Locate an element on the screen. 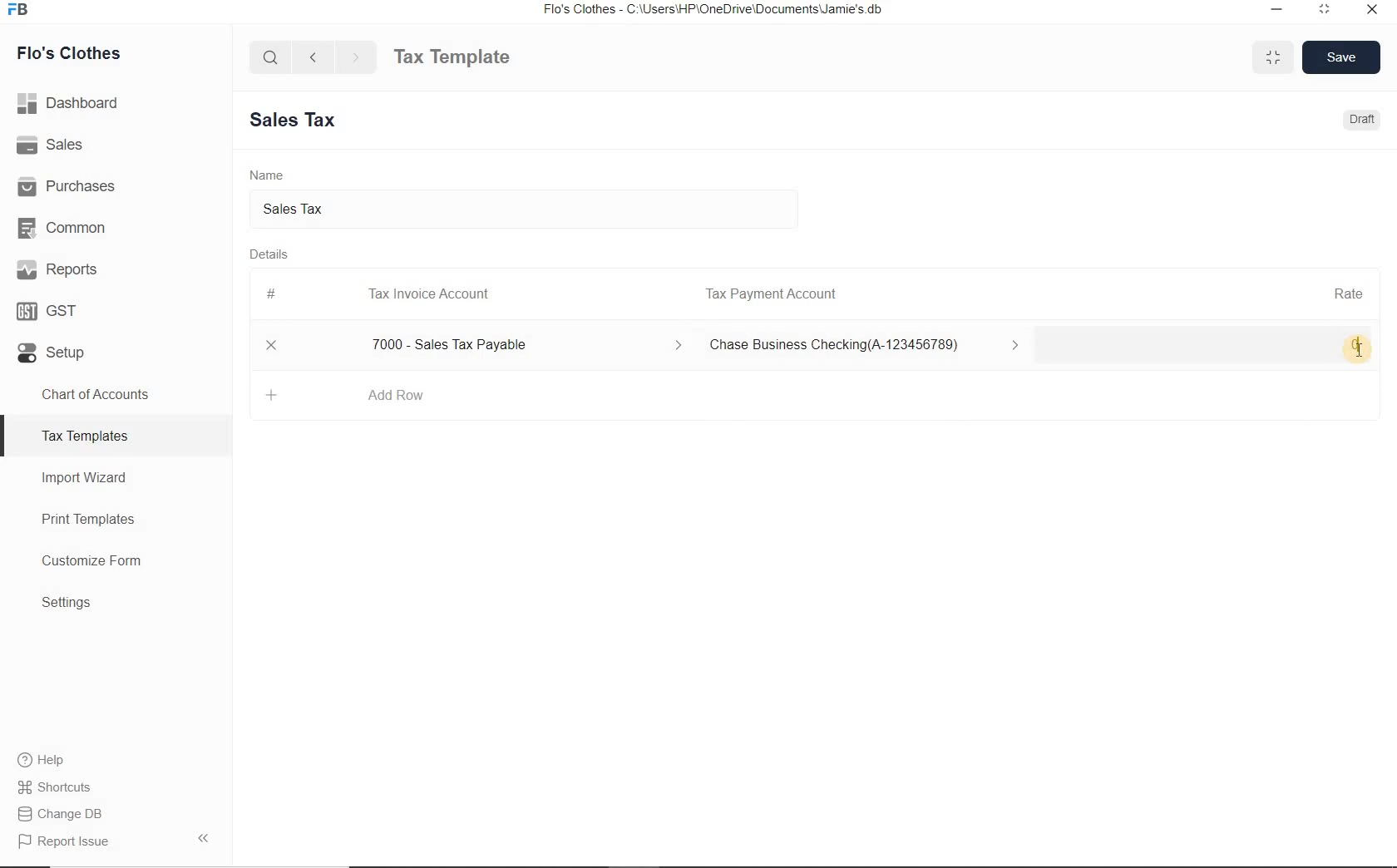  New Entry is located at coordinates (299, 121).